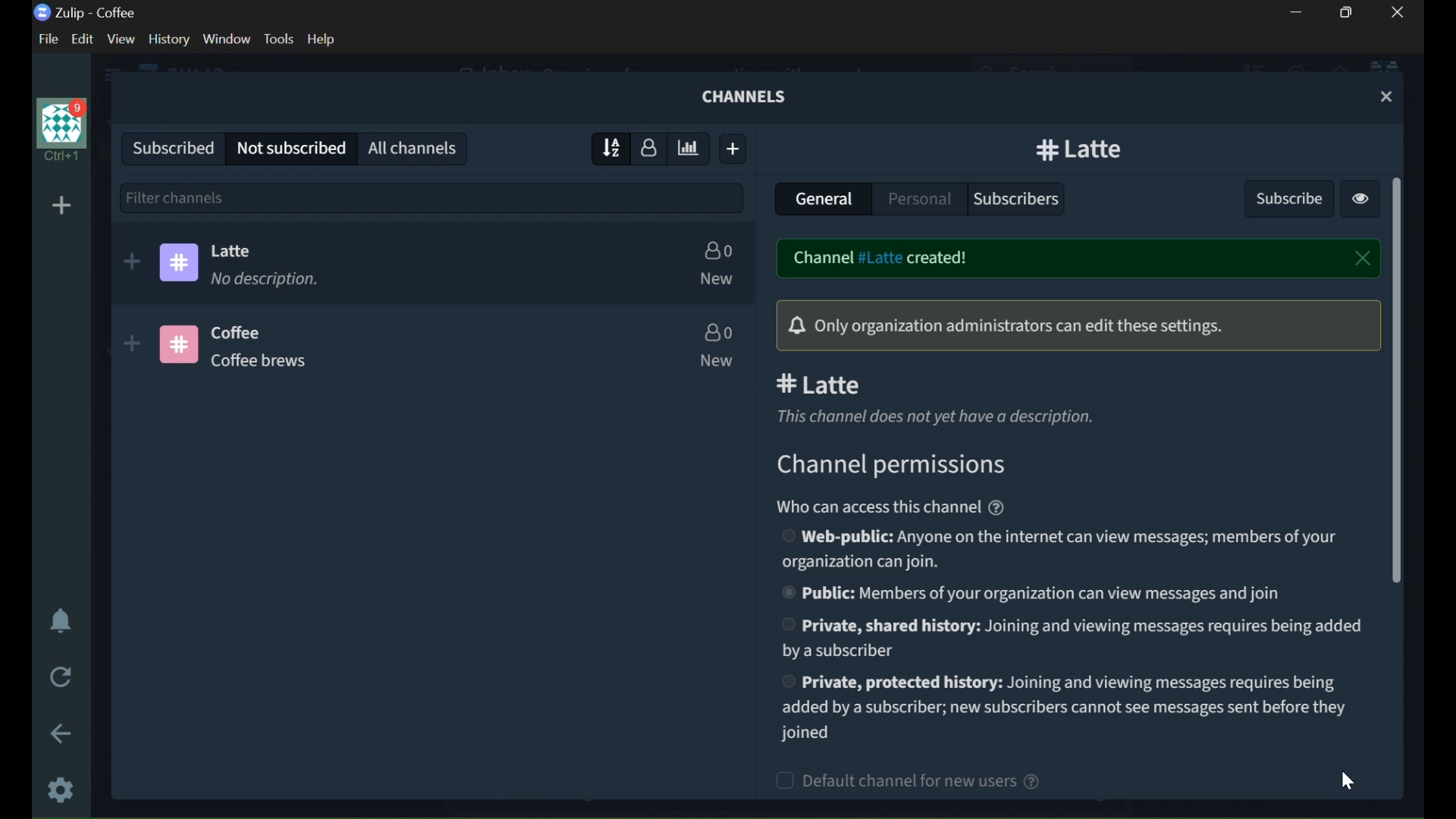 This screenshot has height=819, width=1456. I want to click on CHANNEL LOGO, so click(181, 262).